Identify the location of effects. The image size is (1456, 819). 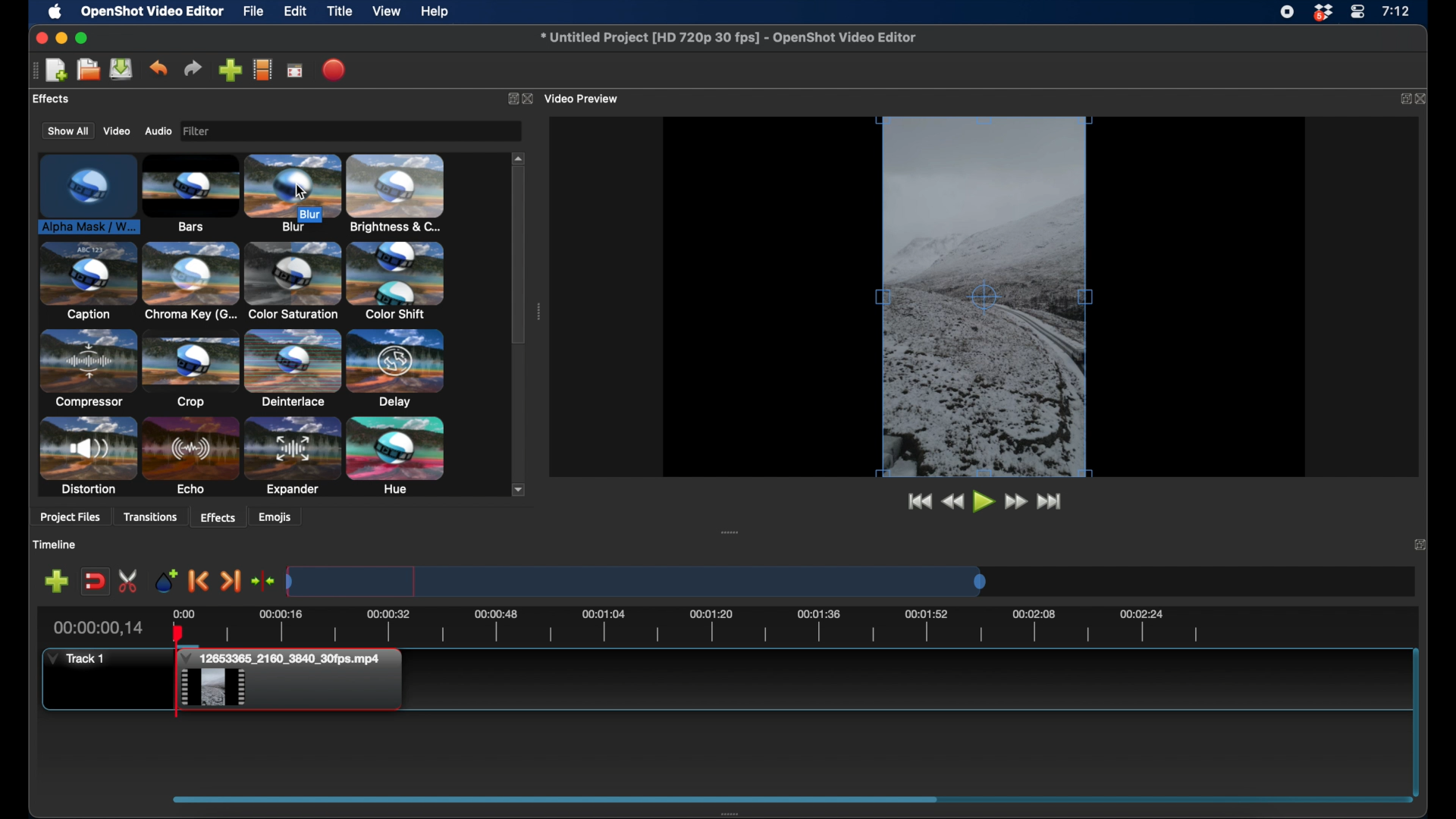
(218, 516).